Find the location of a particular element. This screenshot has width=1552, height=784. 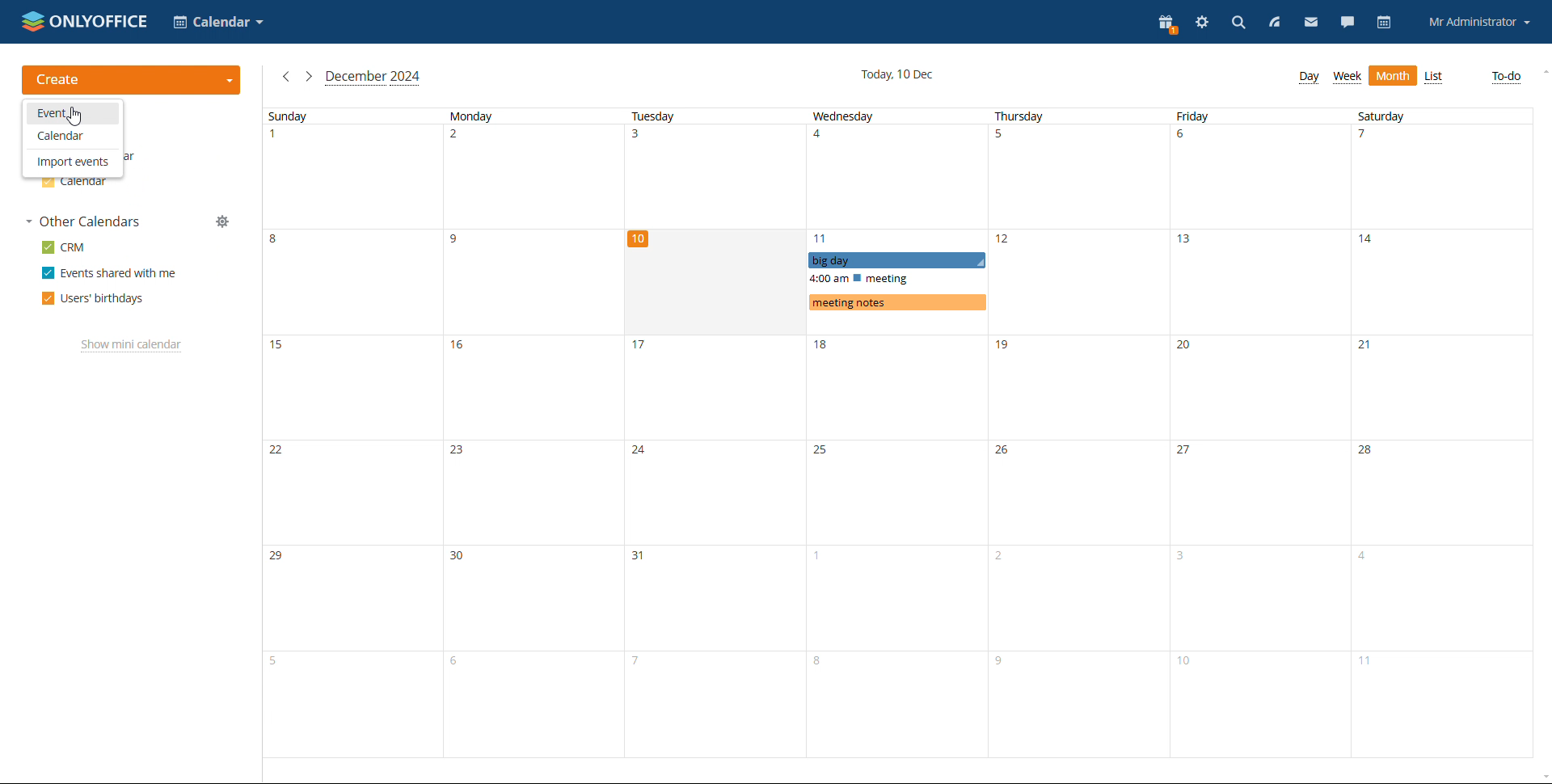

calendar is located at coordinates (74, 185).